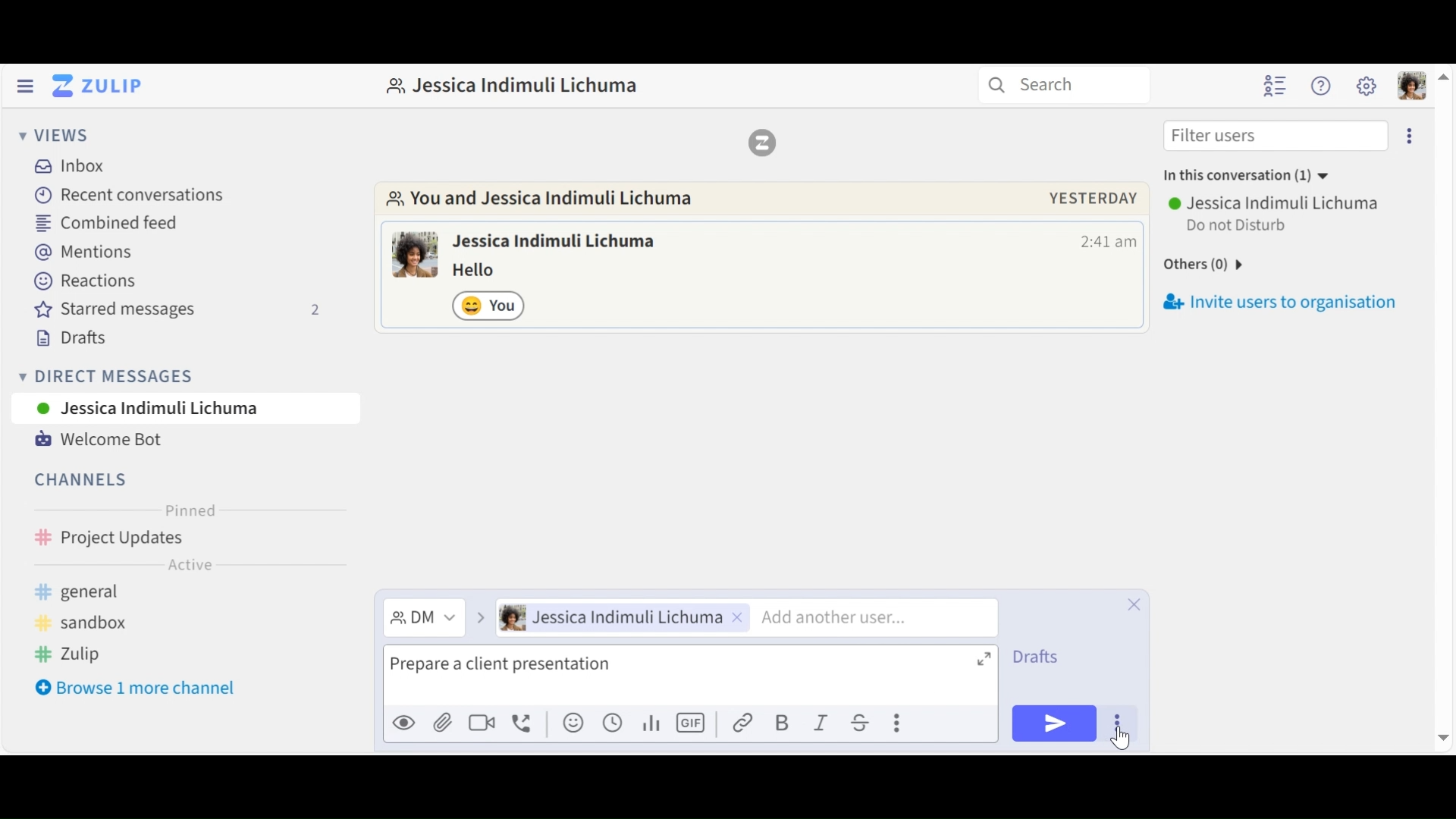 The height and width of the screenshot is (819, 1456). I want to click on Add polls, so click(650, 723).